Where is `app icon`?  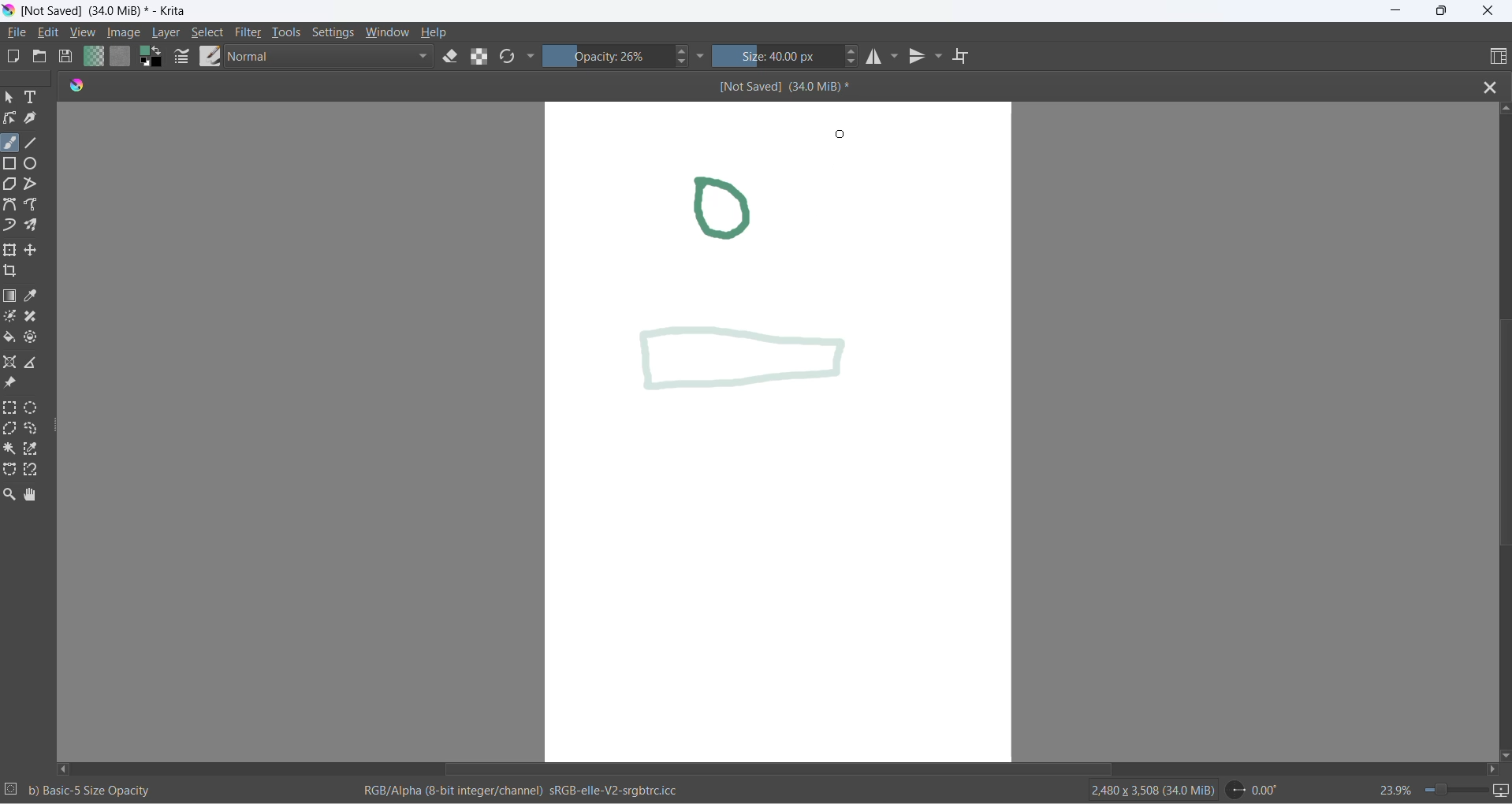 app icon is located at coordinates (79, 86).